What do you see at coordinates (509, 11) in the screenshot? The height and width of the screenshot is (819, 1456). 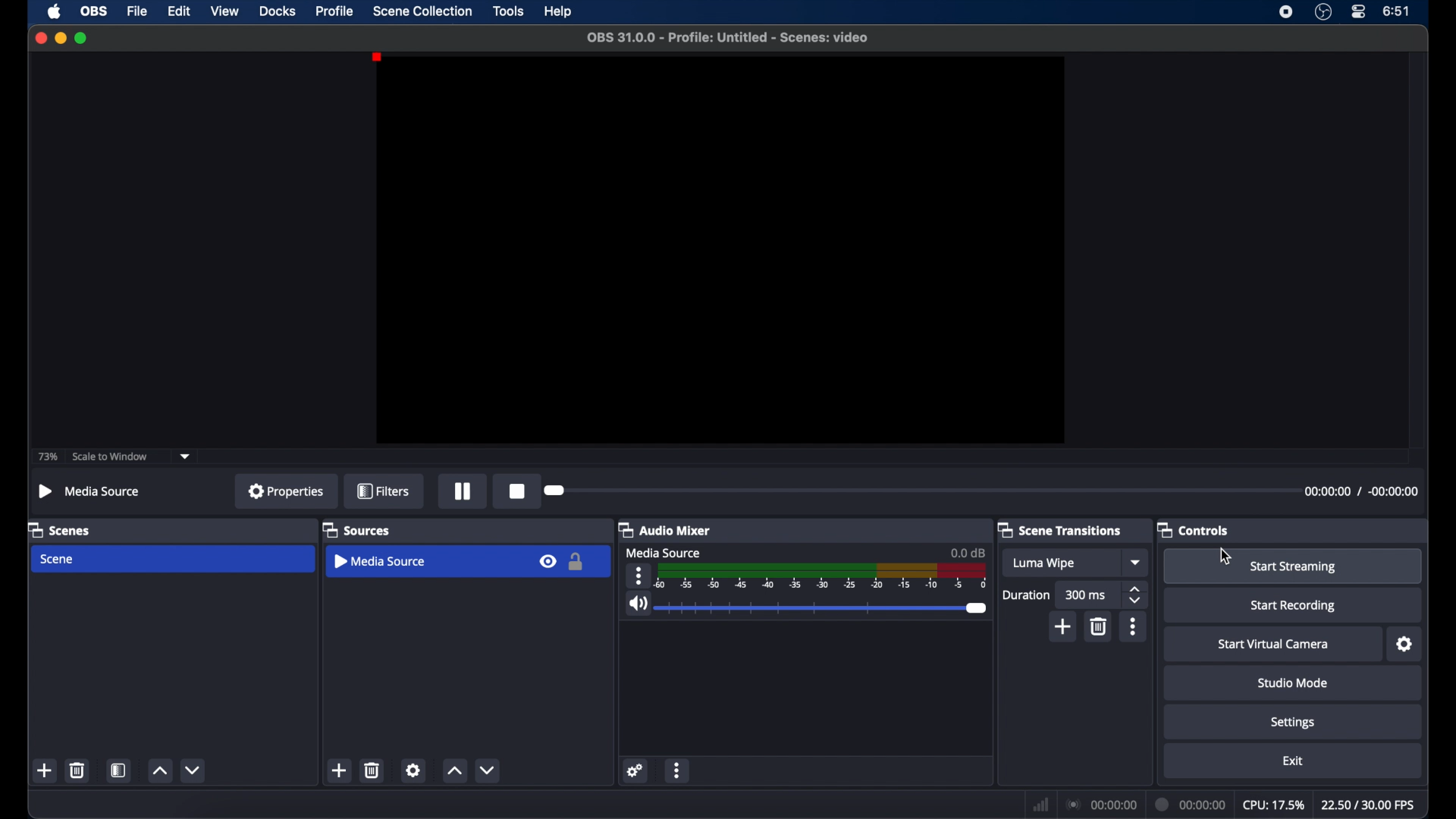 I see `tools` at bounding box center [509, 11].